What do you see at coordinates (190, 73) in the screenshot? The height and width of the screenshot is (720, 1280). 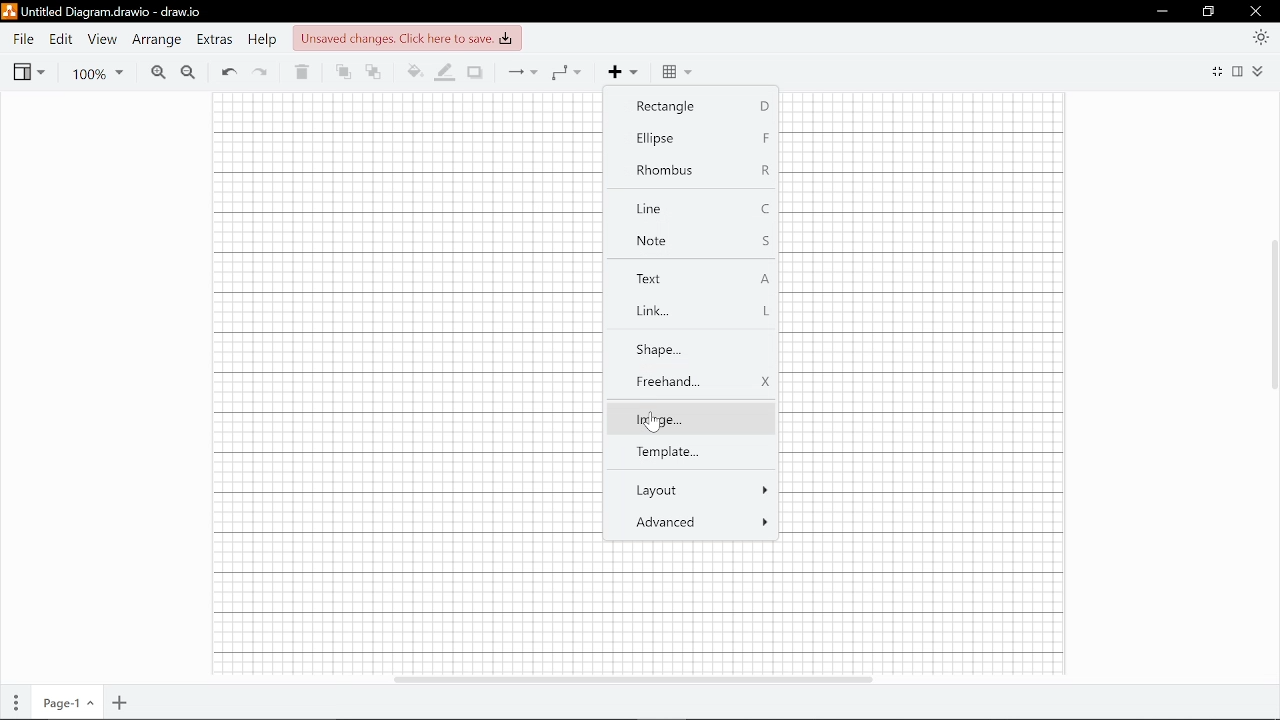 I see `Zoom out` at bounding box center [190, 73].